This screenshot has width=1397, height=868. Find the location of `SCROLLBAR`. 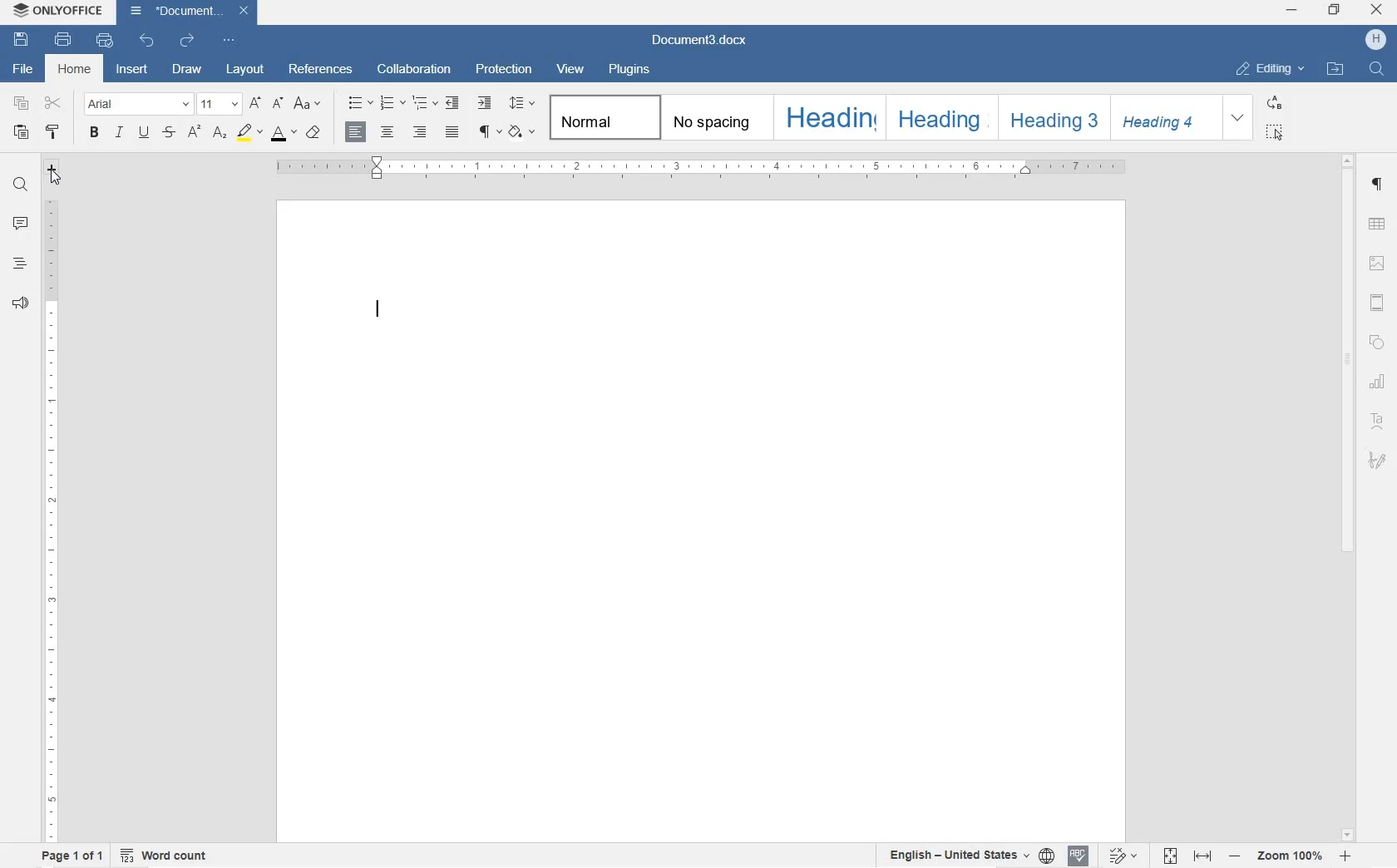

SCROLLBAR is located at coordinates (1350, 497).